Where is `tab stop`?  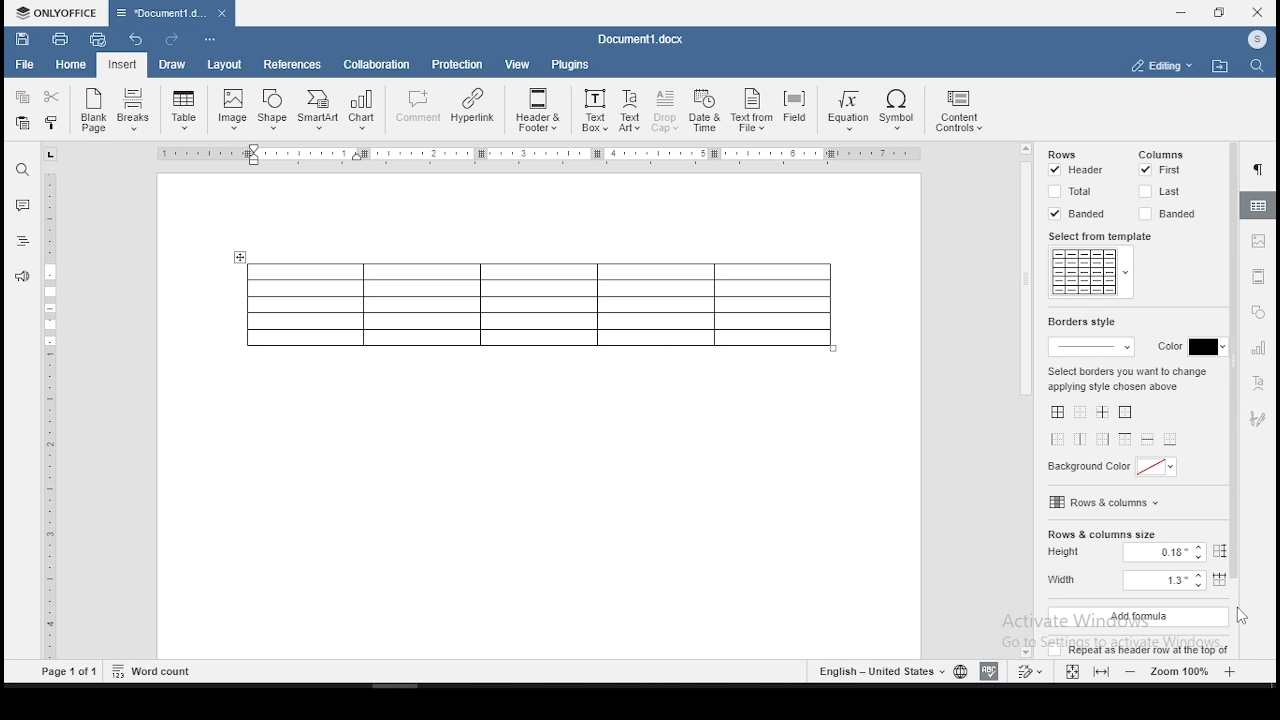
tab stop is located at coordinates (51, 154).